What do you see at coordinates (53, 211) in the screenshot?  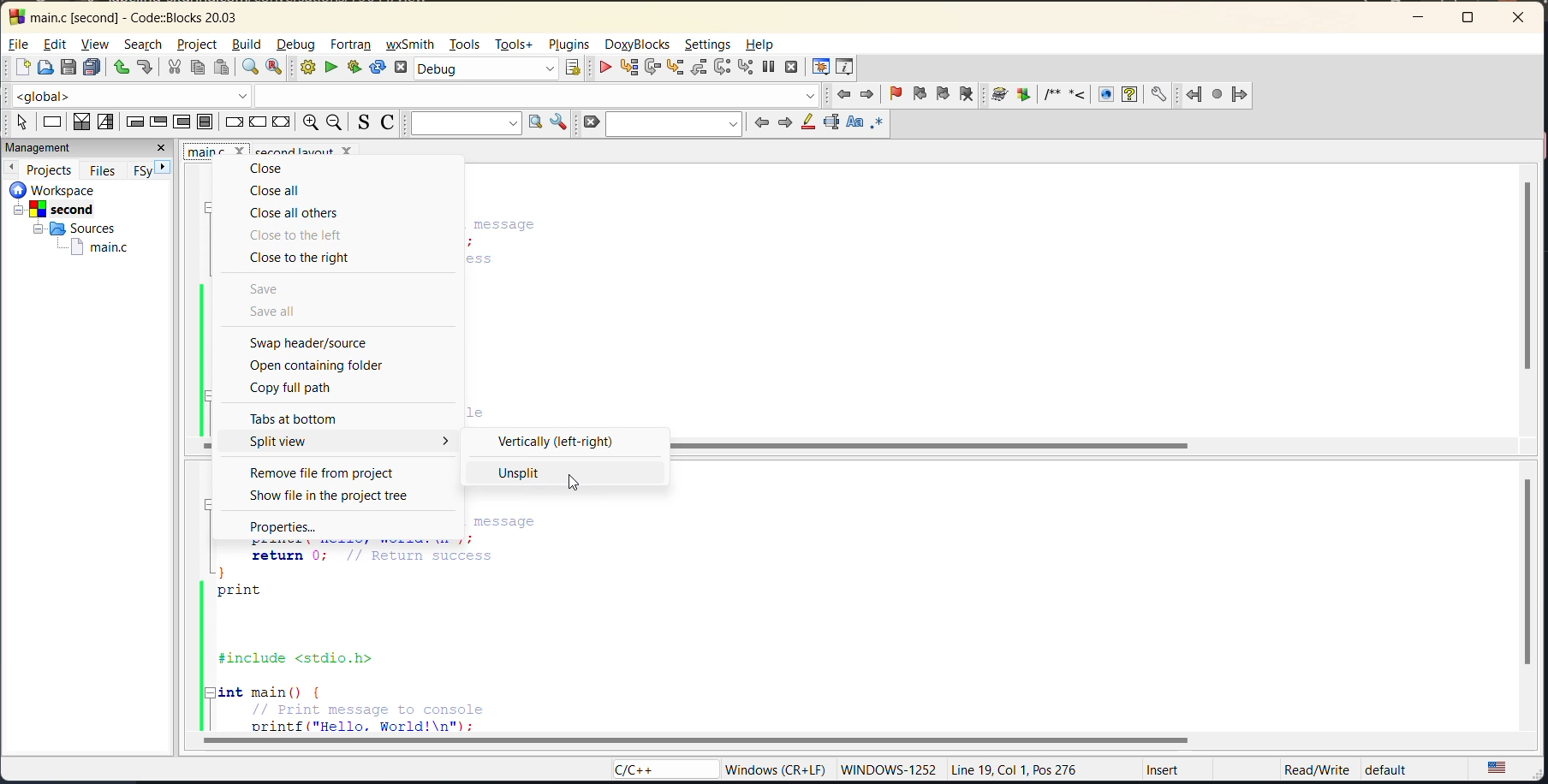 I see `second` at bounding box center [53, 211].